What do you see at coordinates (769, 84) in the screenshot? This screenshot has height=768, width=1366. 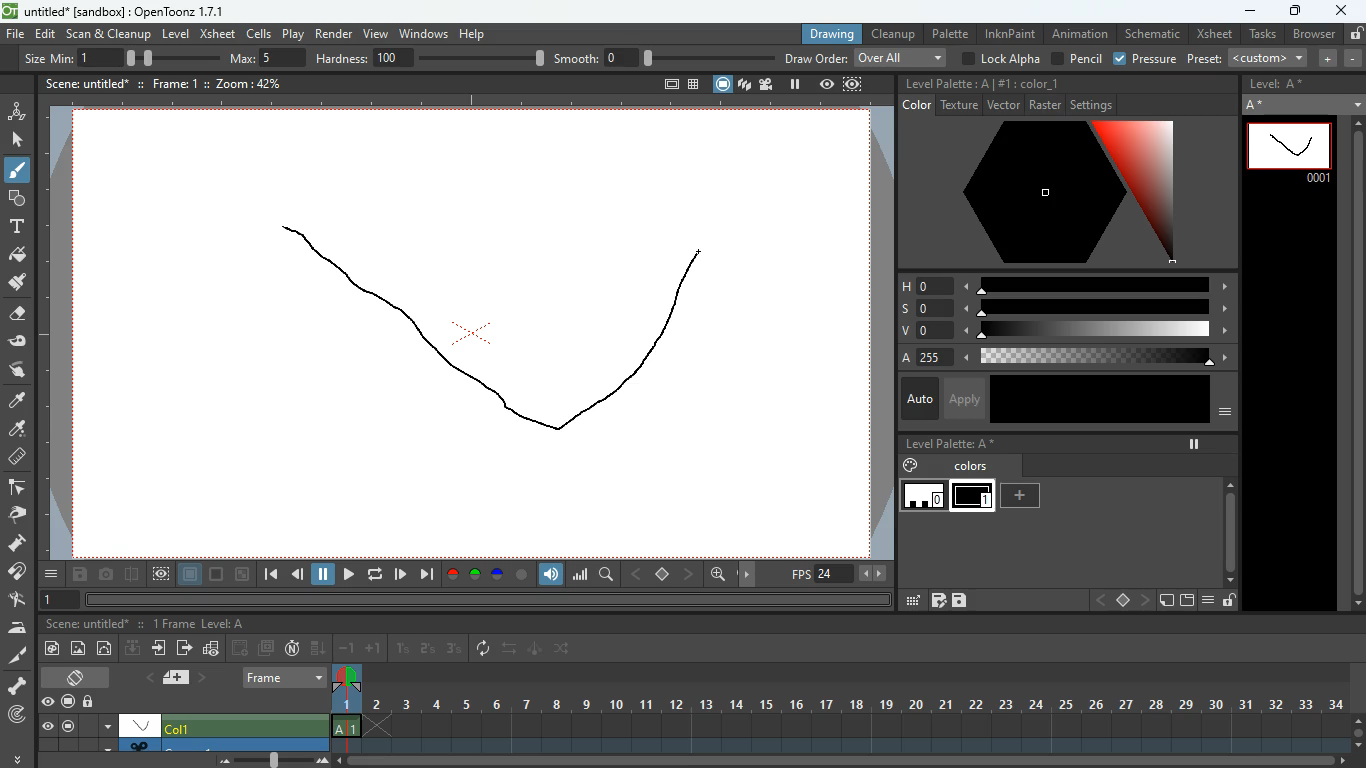 I see `filme` at bounding box center [769, 84].